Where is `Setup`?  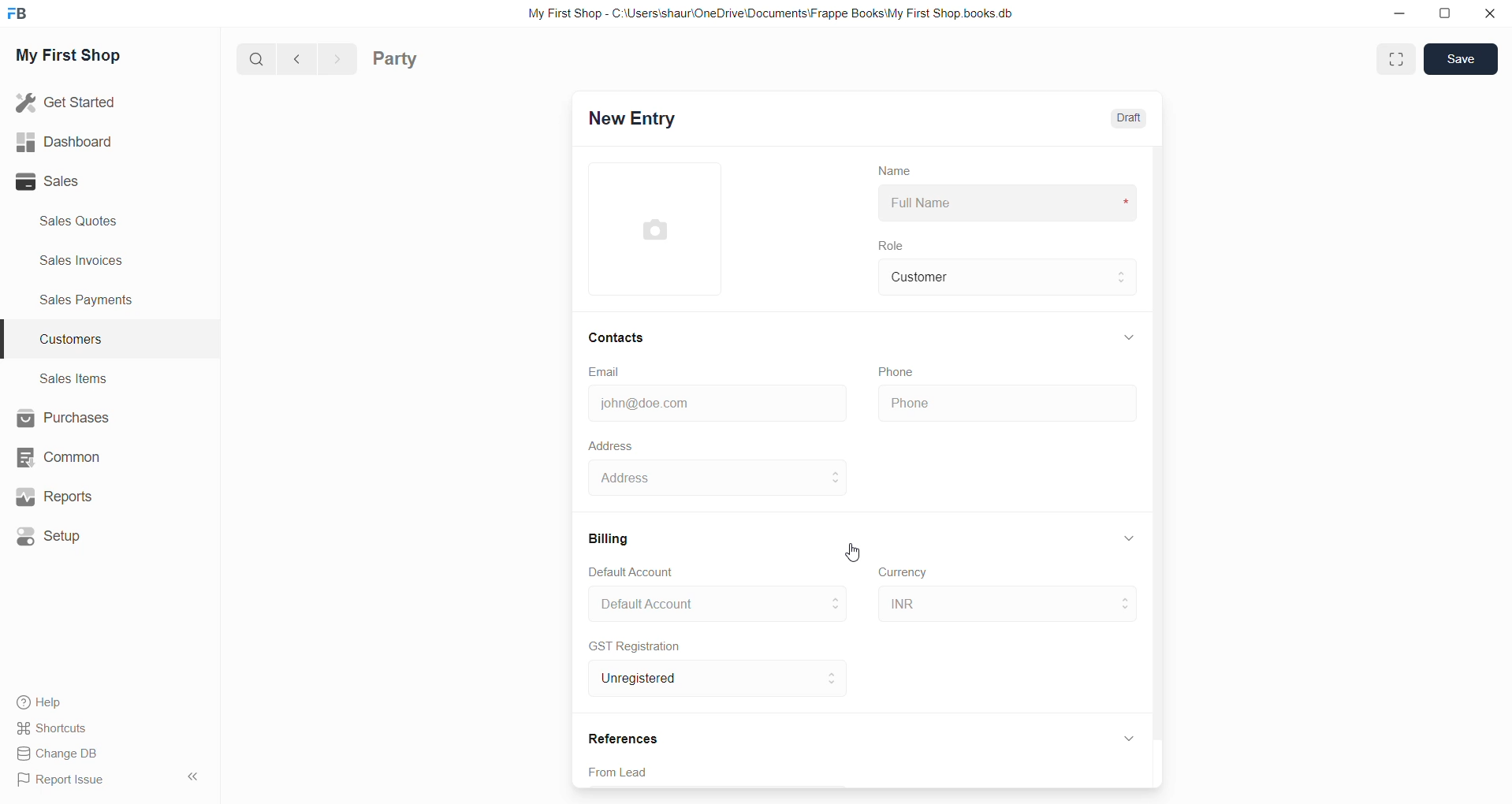 Setup is located at coordinates (53, 534).